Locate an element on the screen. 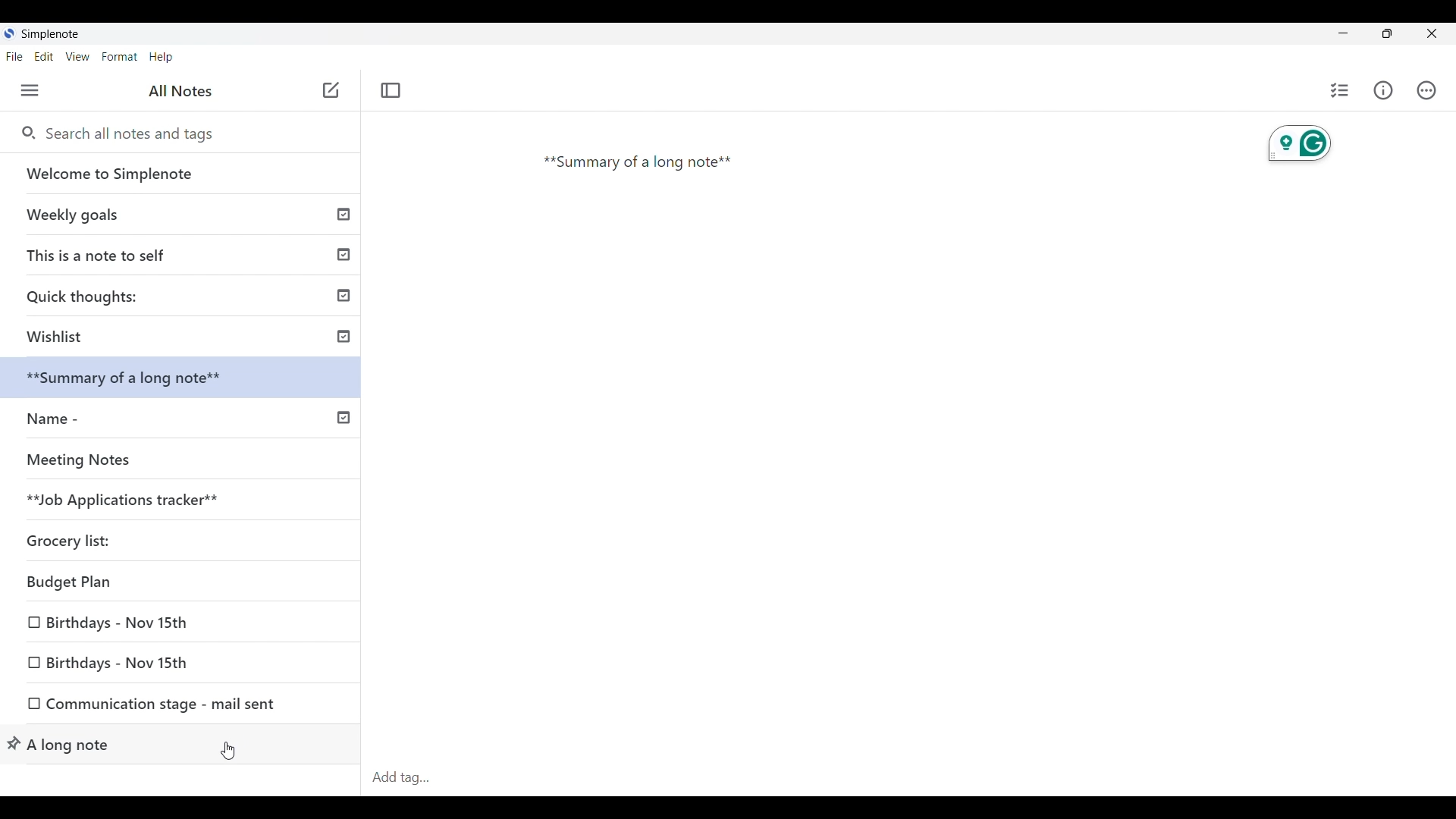 This screenshot has width=1456, height=819. Close interface is located at coordinates (1431, 33).